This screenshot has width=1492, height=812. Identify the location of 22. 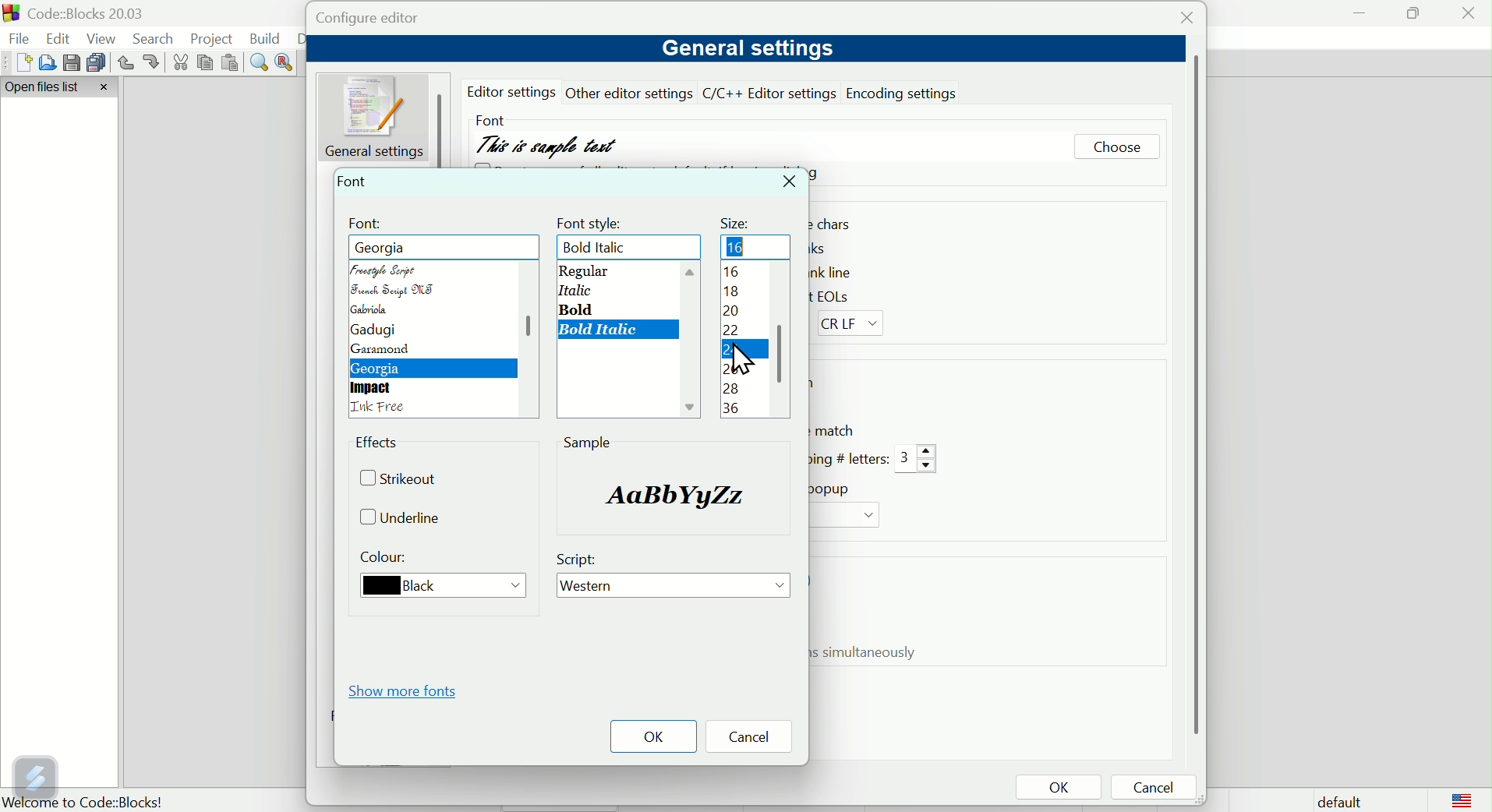
(734, 332).